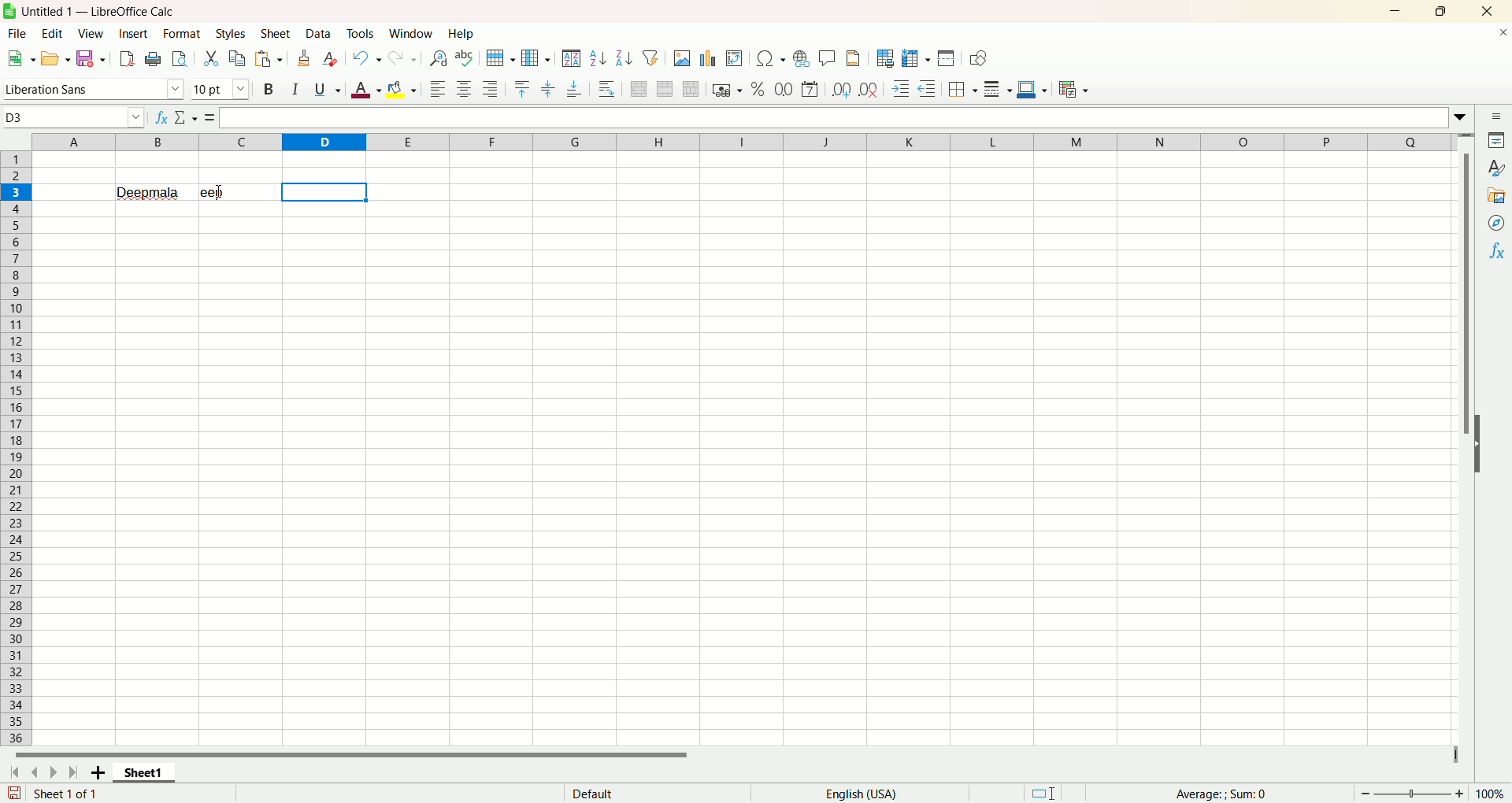 This screenshot has width=1512, height=803. Describe the element at coordinates (403, 59) in the screenshot. I see `Redo` at that location.